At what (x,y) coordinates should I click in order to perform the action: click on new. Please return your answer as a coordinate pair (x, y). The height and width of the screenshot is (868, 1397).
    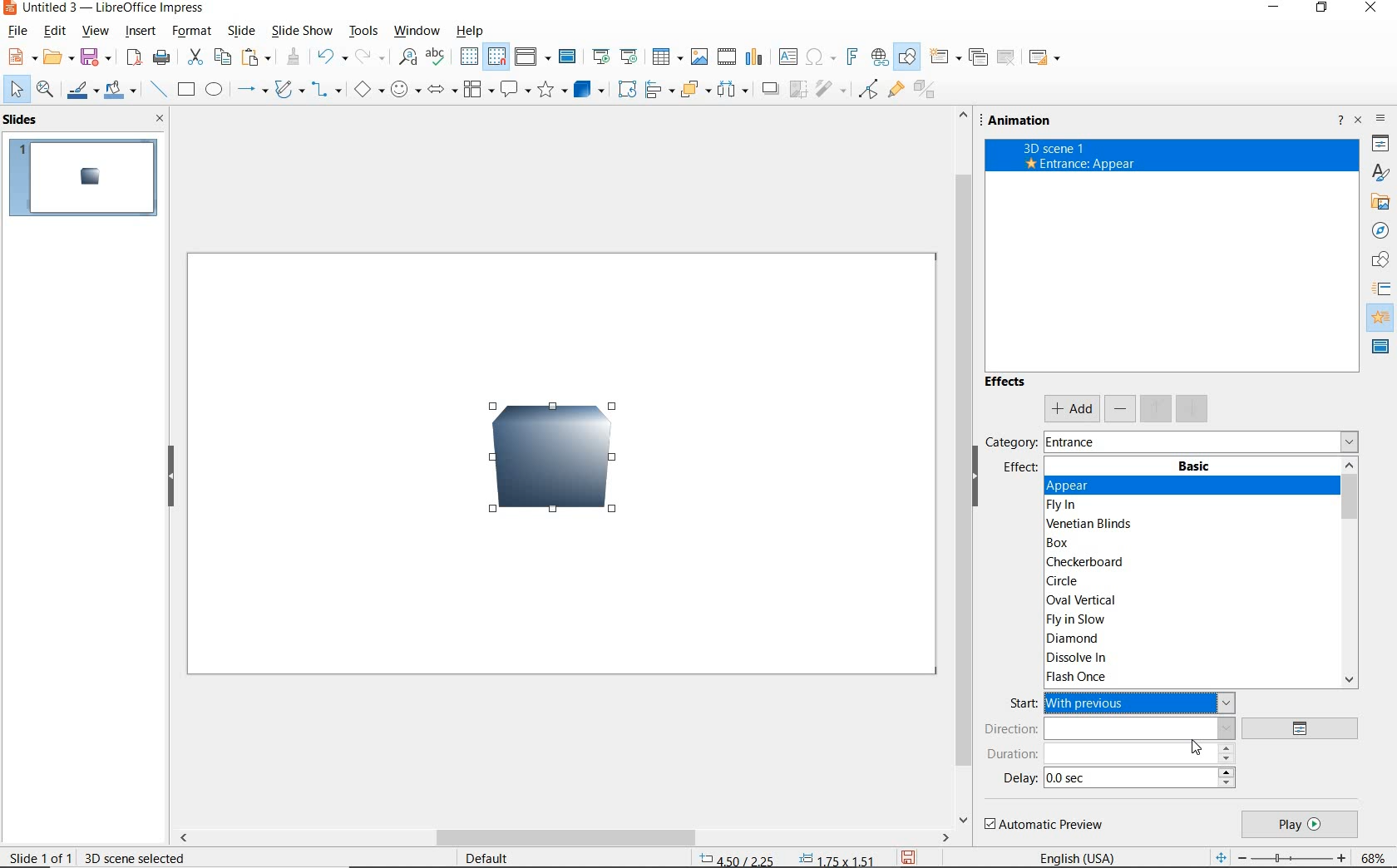
    Looking at the image, I should click on (22, 57).